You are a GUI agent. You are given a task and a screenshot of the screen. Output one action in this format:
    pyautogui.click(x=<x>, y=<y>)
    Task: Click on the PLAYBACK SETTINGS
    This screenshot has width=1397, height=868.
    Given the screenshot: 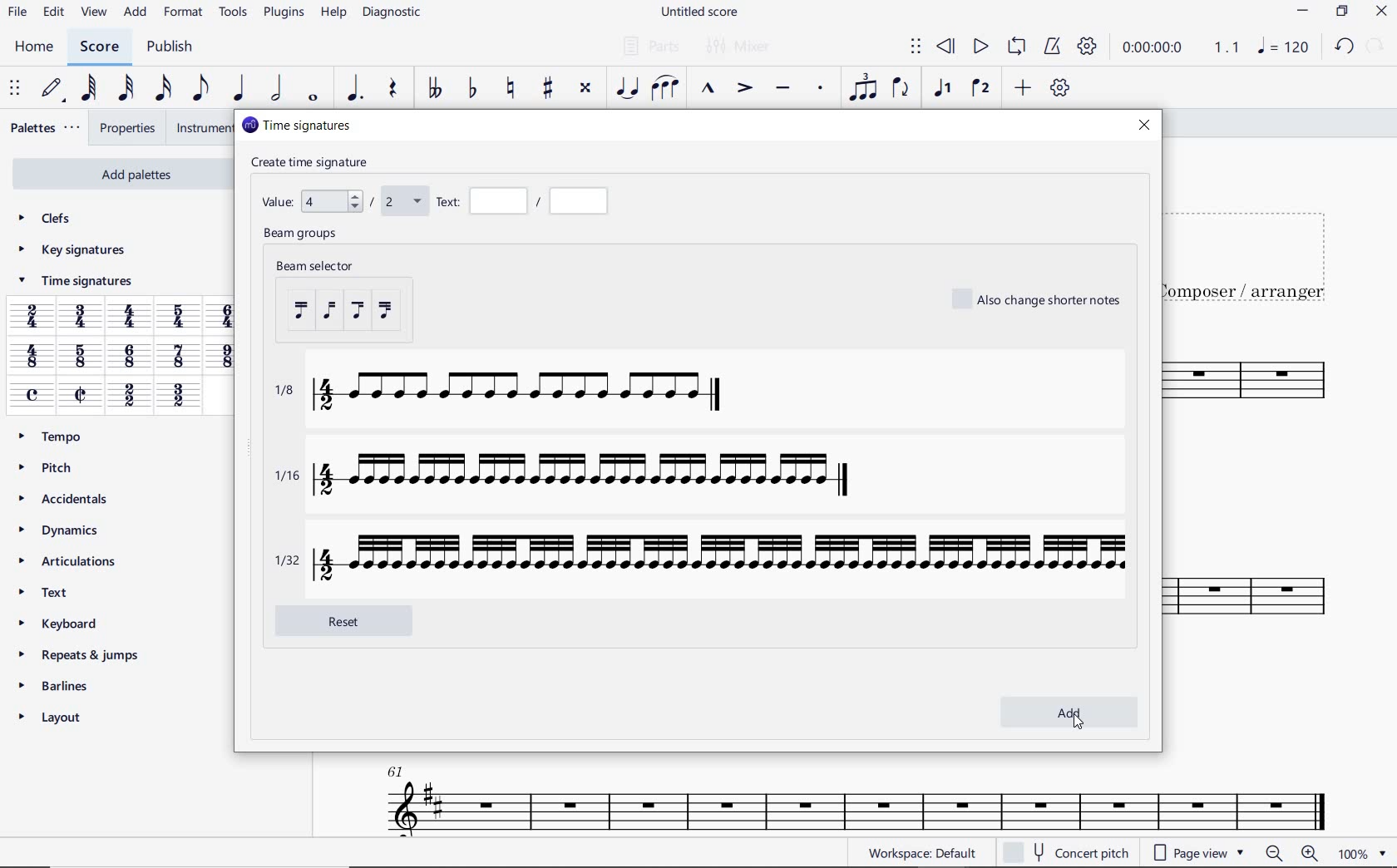 What is the action you would take?
    pyautogui.click(x=1088, y=49)
    